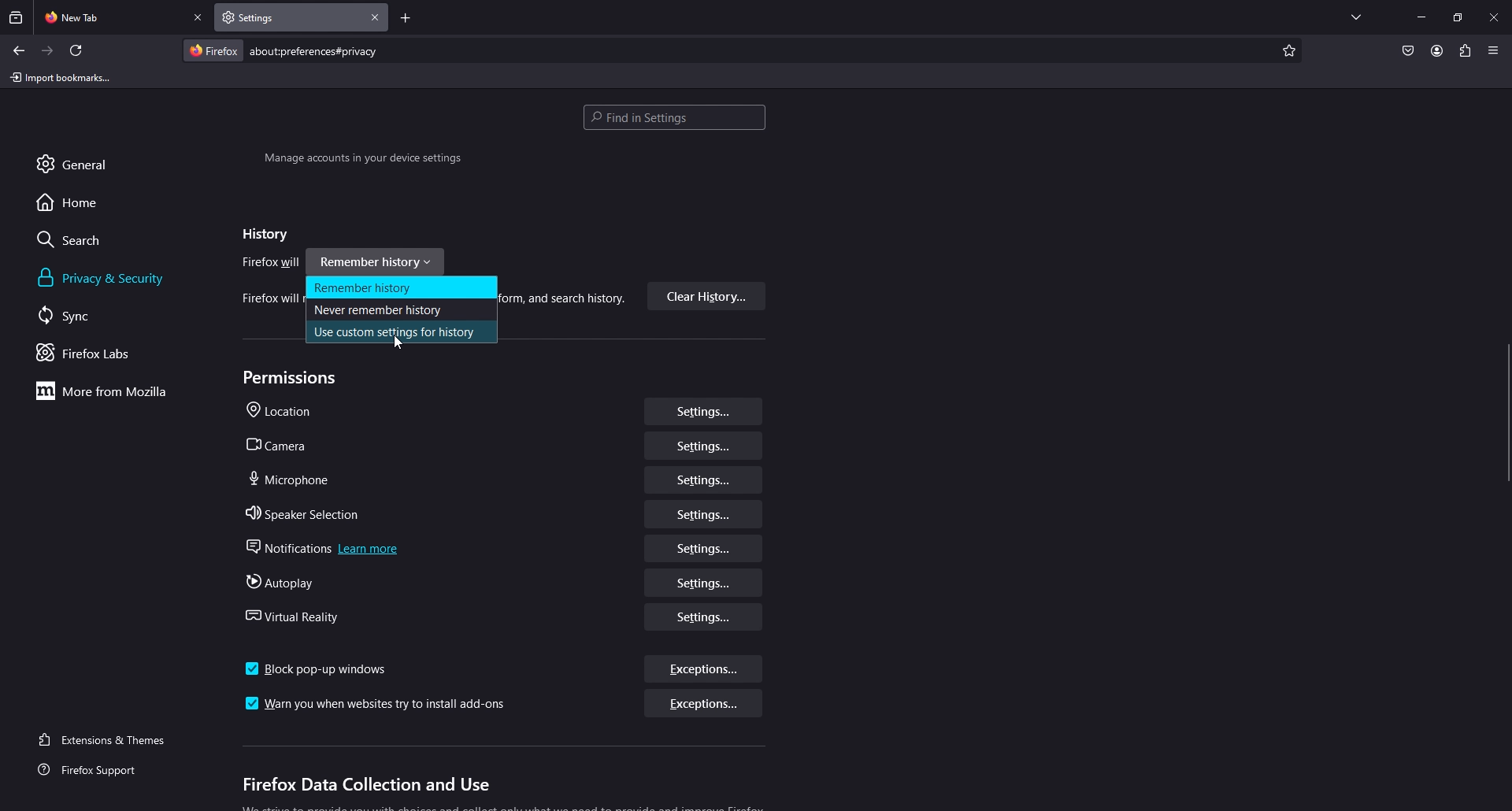 This screenshot has height=811, width=1512. Describe the element at coordinates (701, 583) in the screenshot. I see `settings` at that location.